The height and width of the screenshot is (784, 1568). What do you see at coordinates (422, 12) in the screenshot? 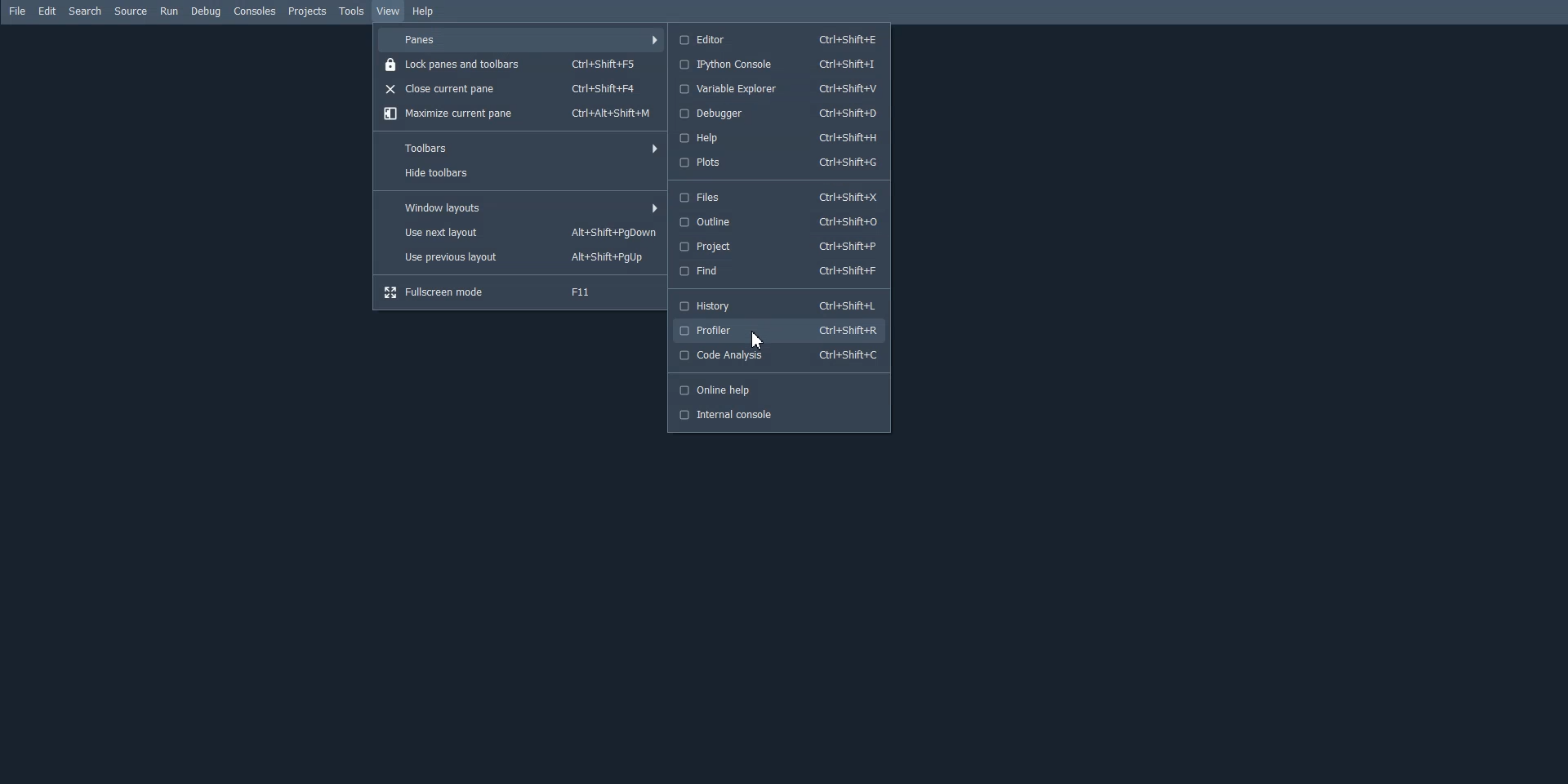
I see `Help` at bounding box center [422, 12].